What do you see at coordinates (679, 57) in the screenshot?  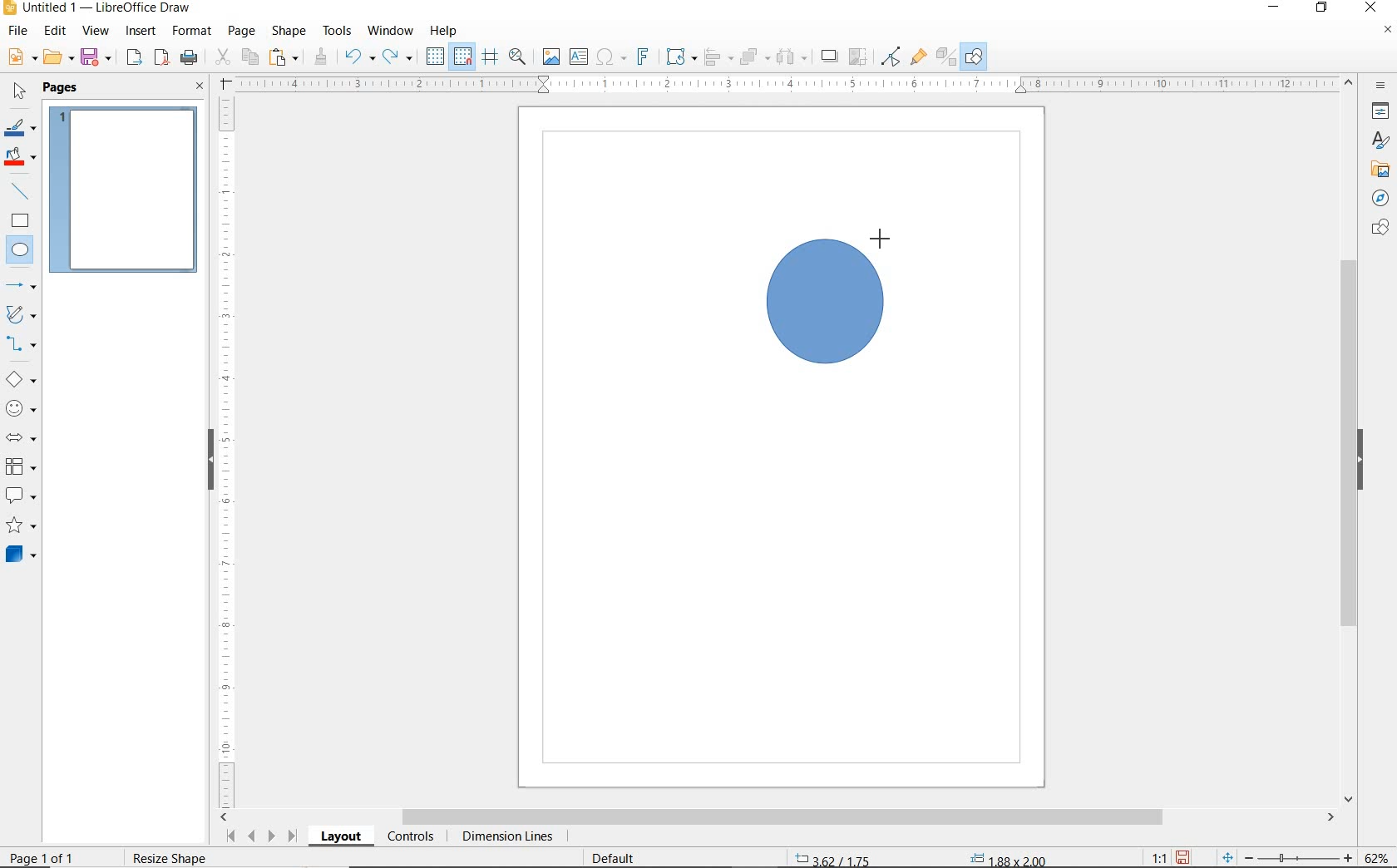 I see `TRANSFORMATIONS` at bounding box center [679, 57].